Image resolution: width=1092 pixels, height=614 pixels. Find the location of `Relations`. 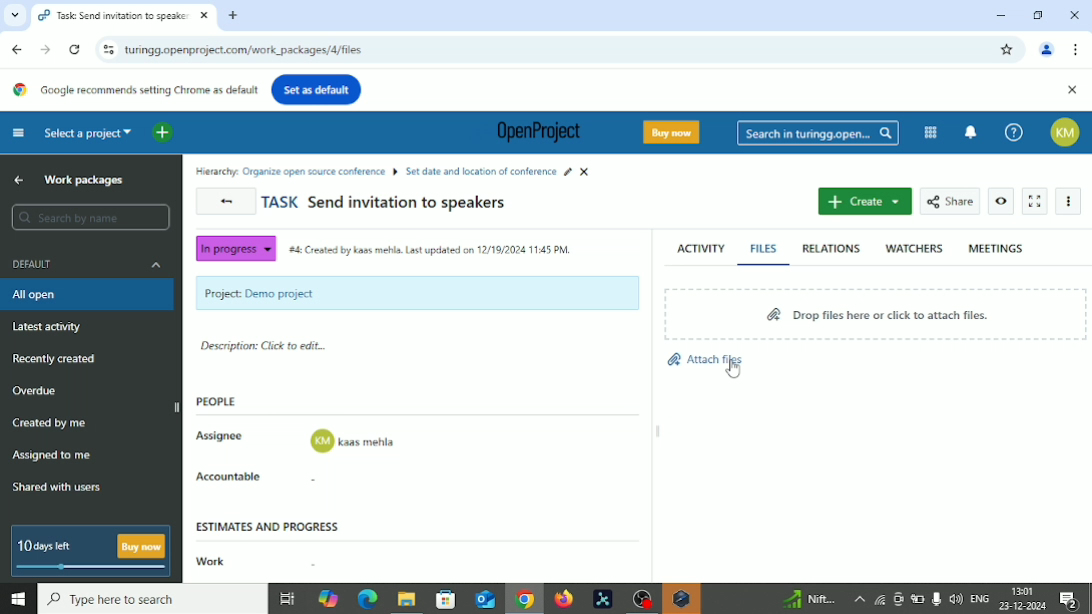

Relations is located at coordinates (831, 249).